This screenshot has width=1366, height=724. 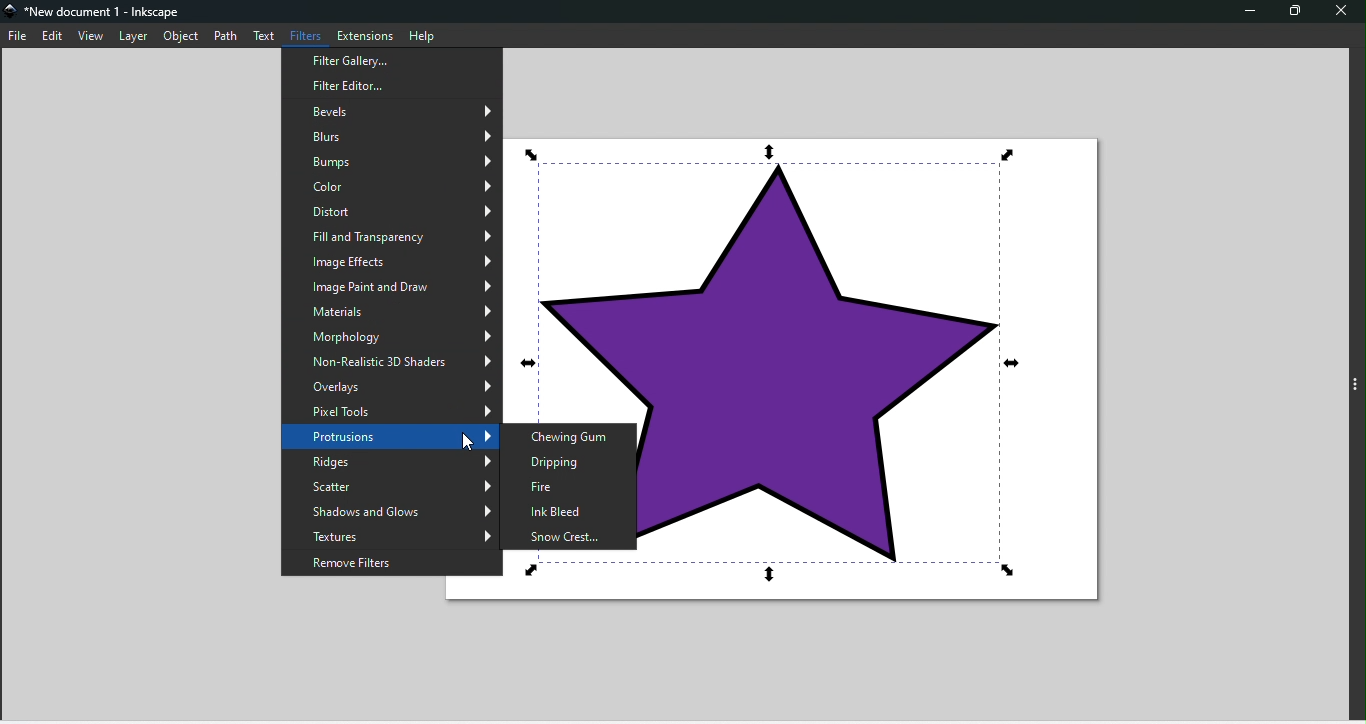 What do you see at coordinates (390, 336) in the screenshot?
I see `Morphology` at bounding box center [390, 336].